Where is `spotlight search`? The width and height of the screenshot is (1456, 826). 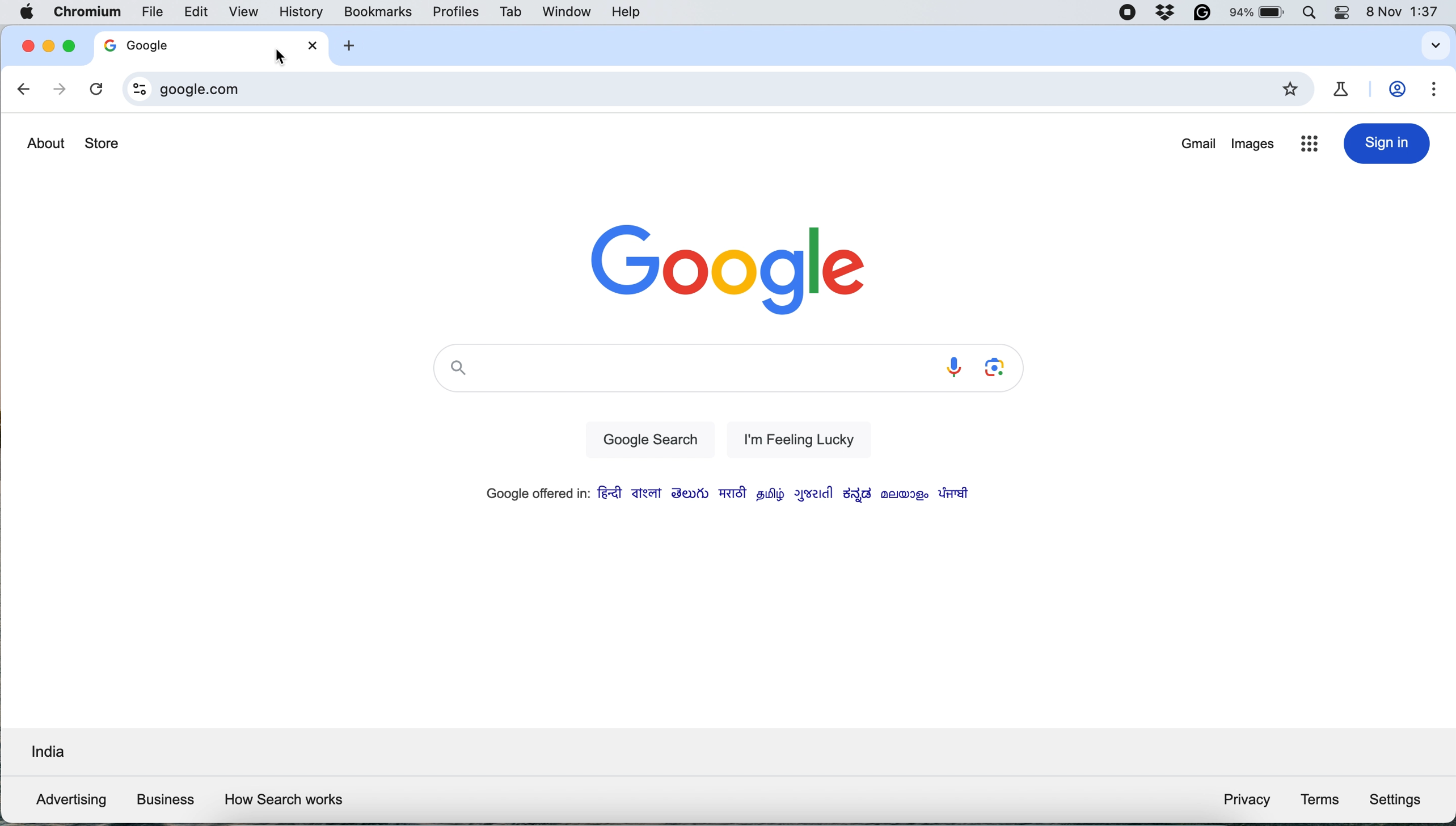
spotlight search is located at coordinates (1315, 14).